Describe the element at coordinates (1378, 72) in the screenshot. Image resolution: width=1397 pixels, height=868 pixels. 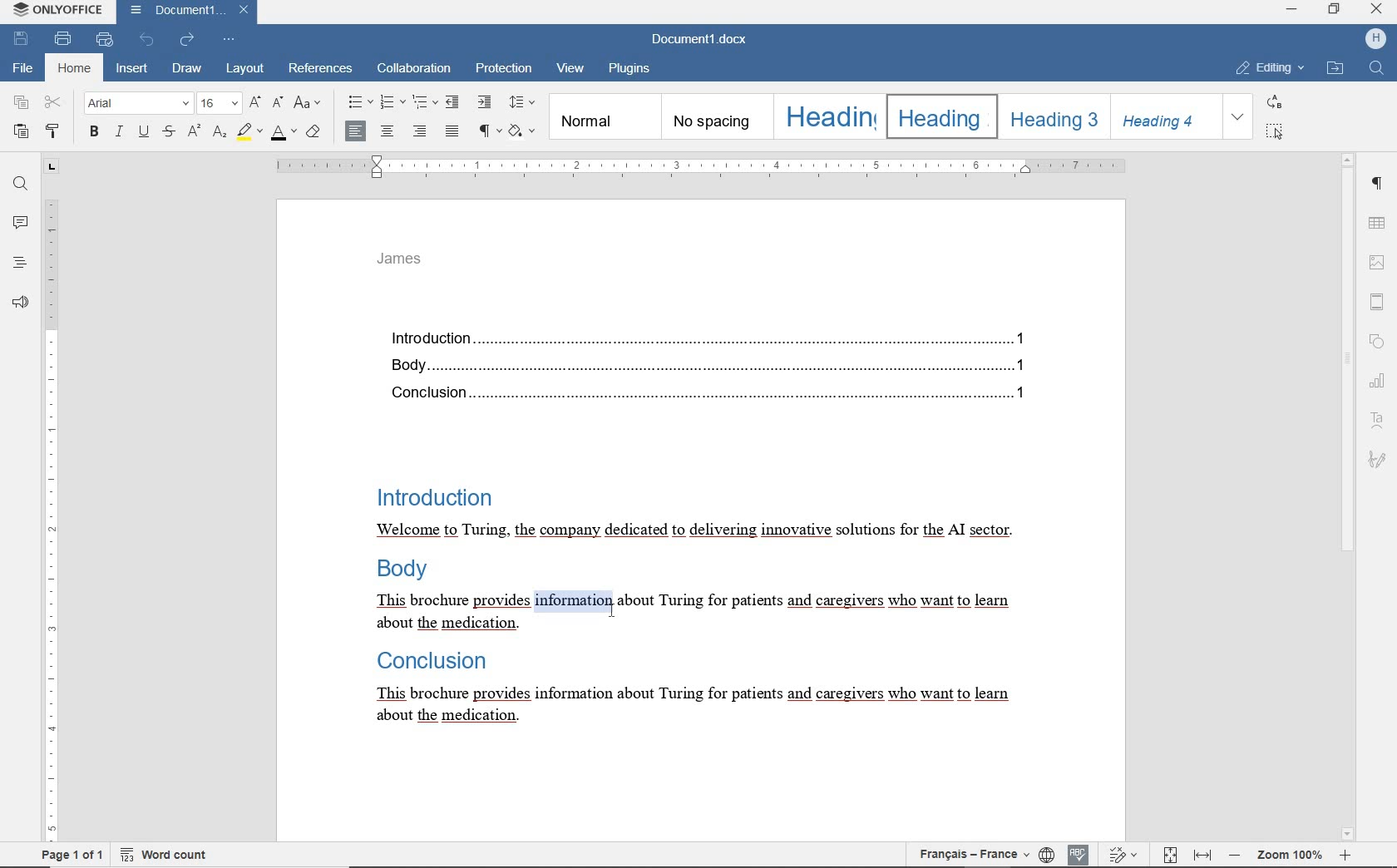
I see `FIND` at that location.